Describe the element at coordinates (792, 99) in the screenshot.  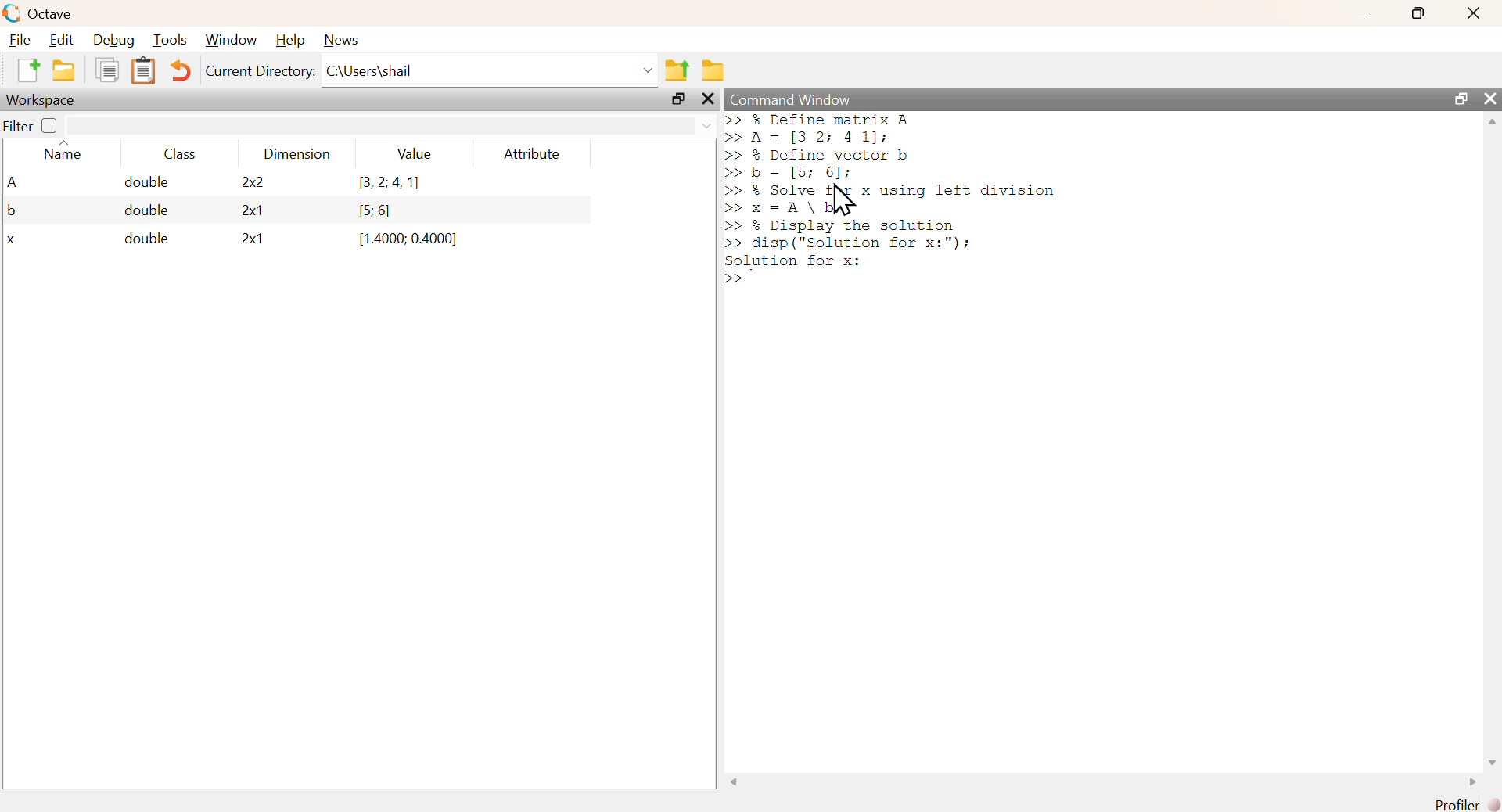
I see `command window` at that location.